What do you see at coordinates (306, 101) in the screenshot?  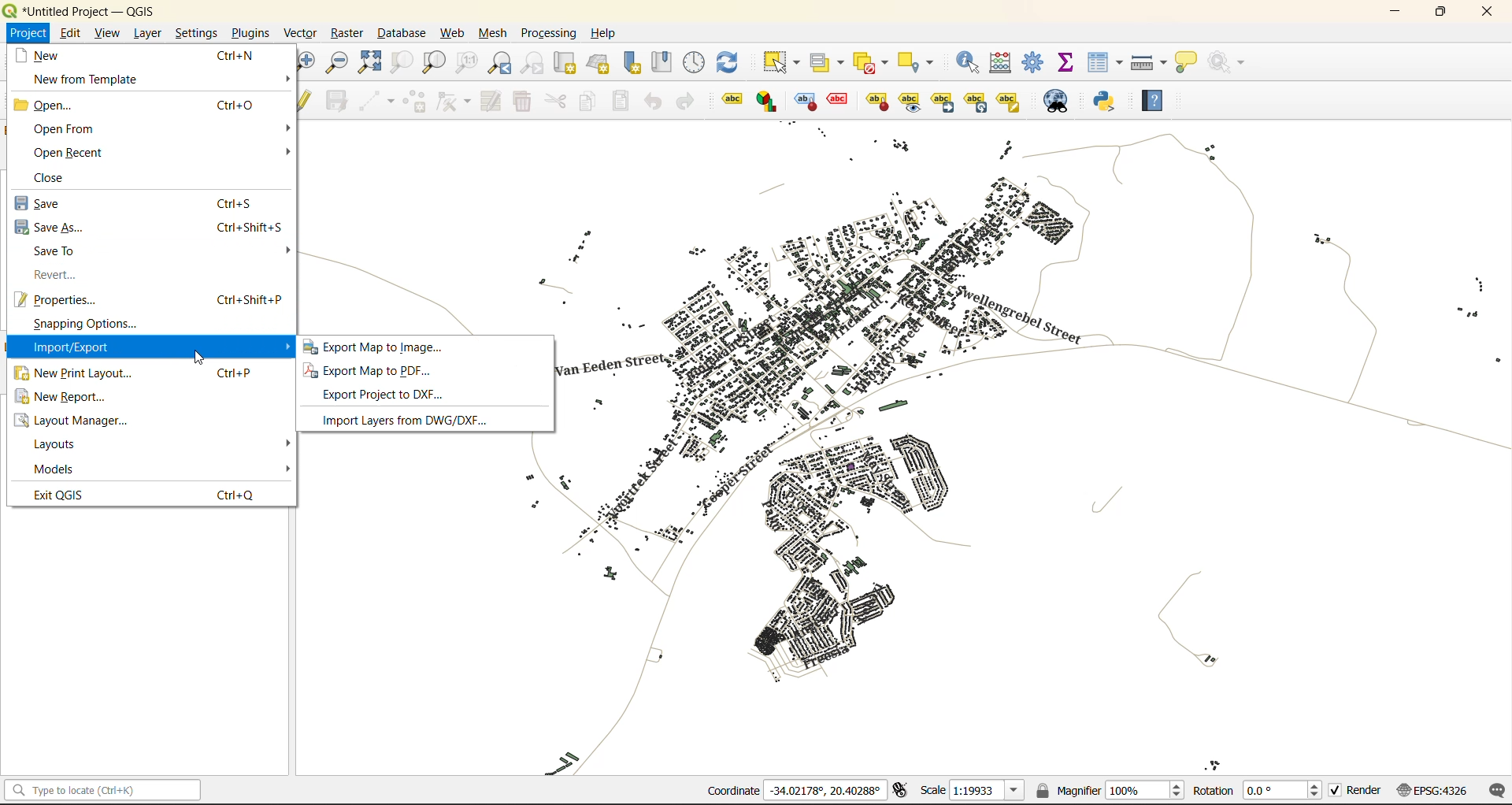 I see `toggle edits` at bounding box center [306, 101].